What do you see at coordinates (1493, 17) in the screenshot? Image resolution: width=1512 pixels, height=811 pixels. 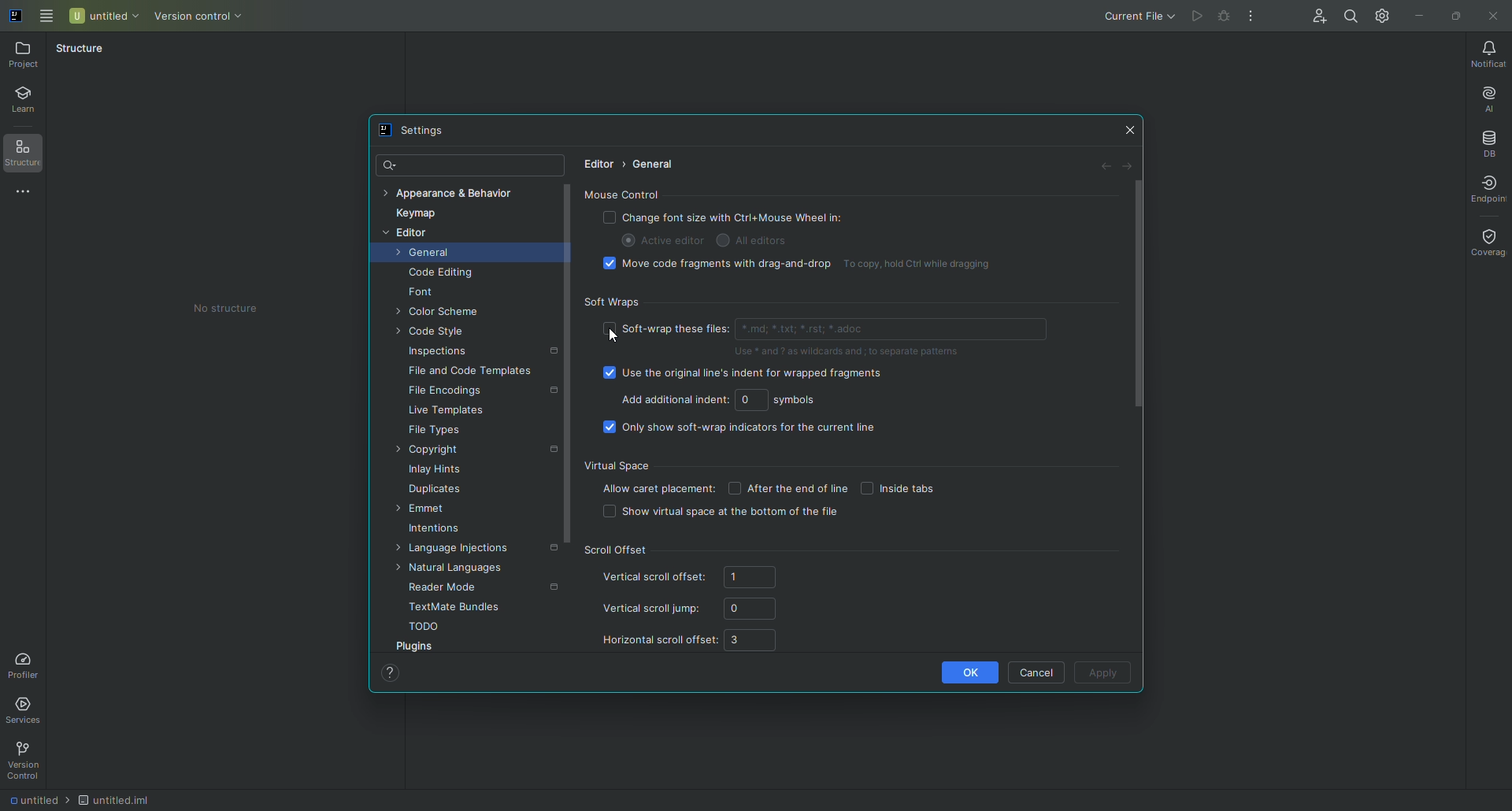 I see `Close` at bounding box center [1493, 17].